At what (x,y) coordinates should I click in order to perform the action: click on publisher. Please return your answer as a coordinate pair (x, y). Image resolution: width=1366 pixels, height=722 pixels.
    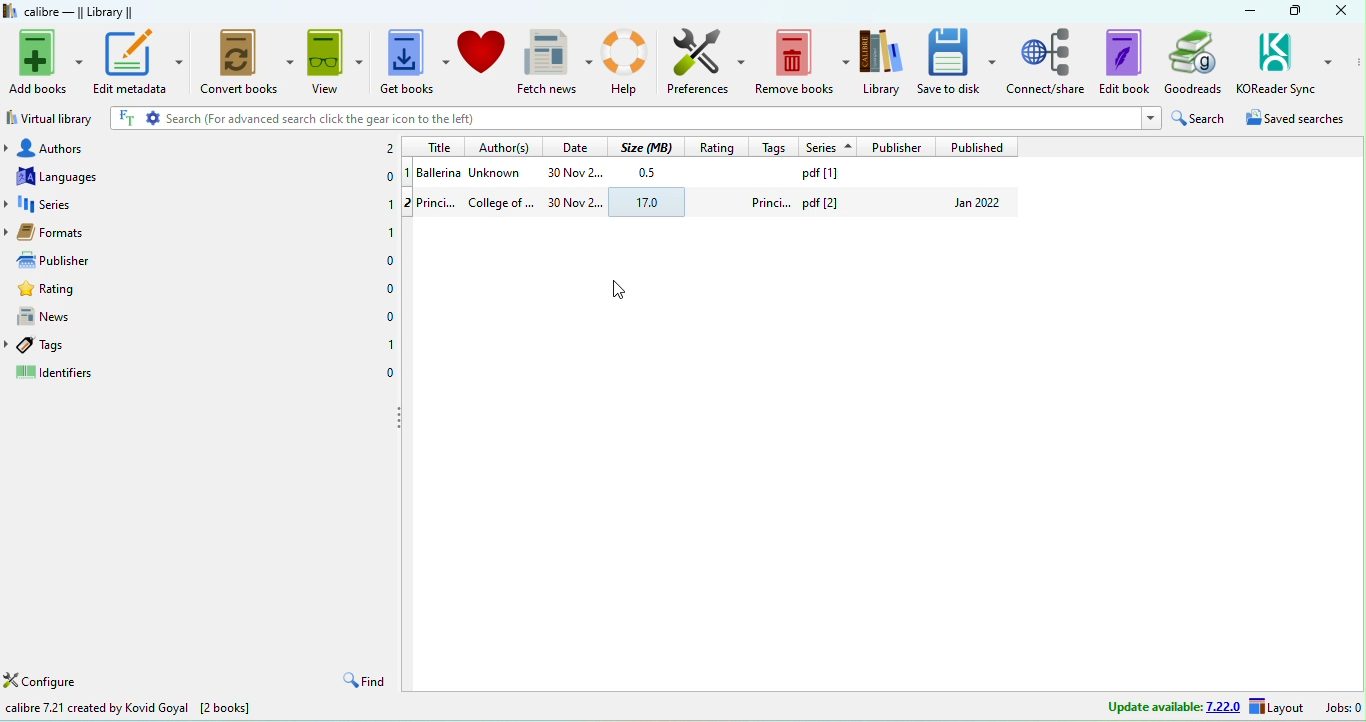
    Looking at the image, I should click on (76, 259).